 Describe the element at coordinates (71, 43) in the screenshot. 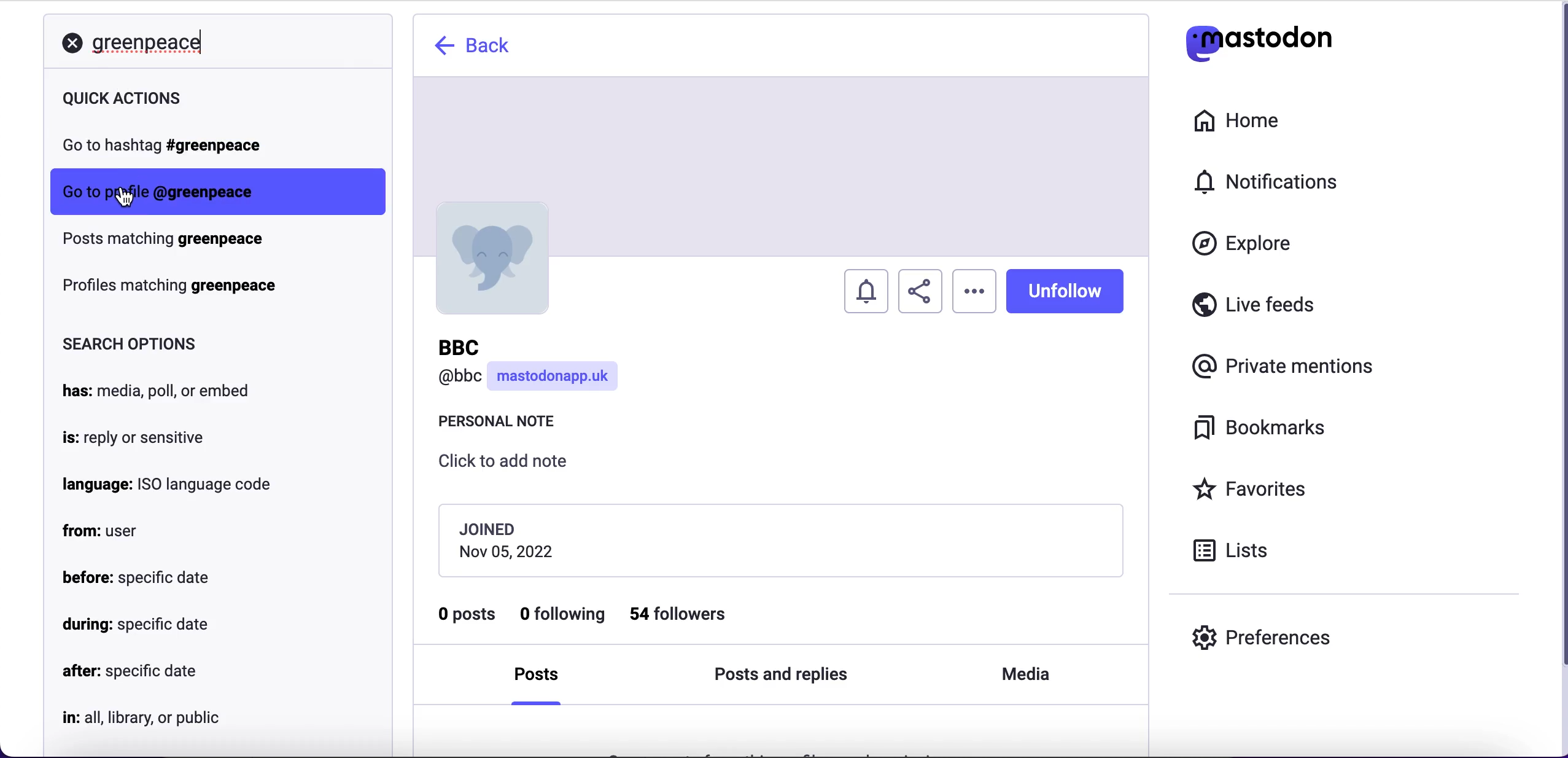

I see `close` at that location.